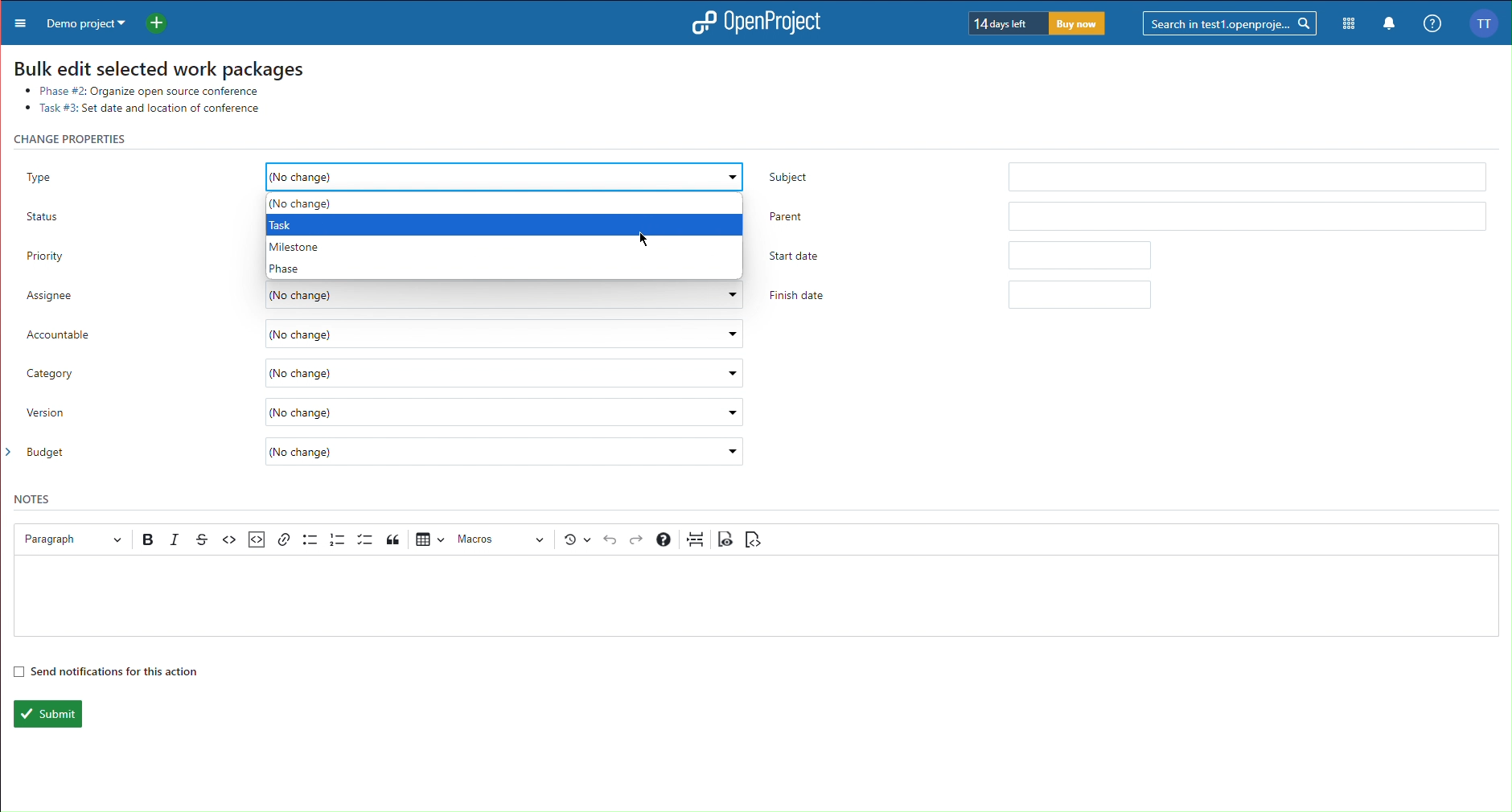 This screenshot has width=1512, height=812. I want to click on (no change), so click(505, 177).